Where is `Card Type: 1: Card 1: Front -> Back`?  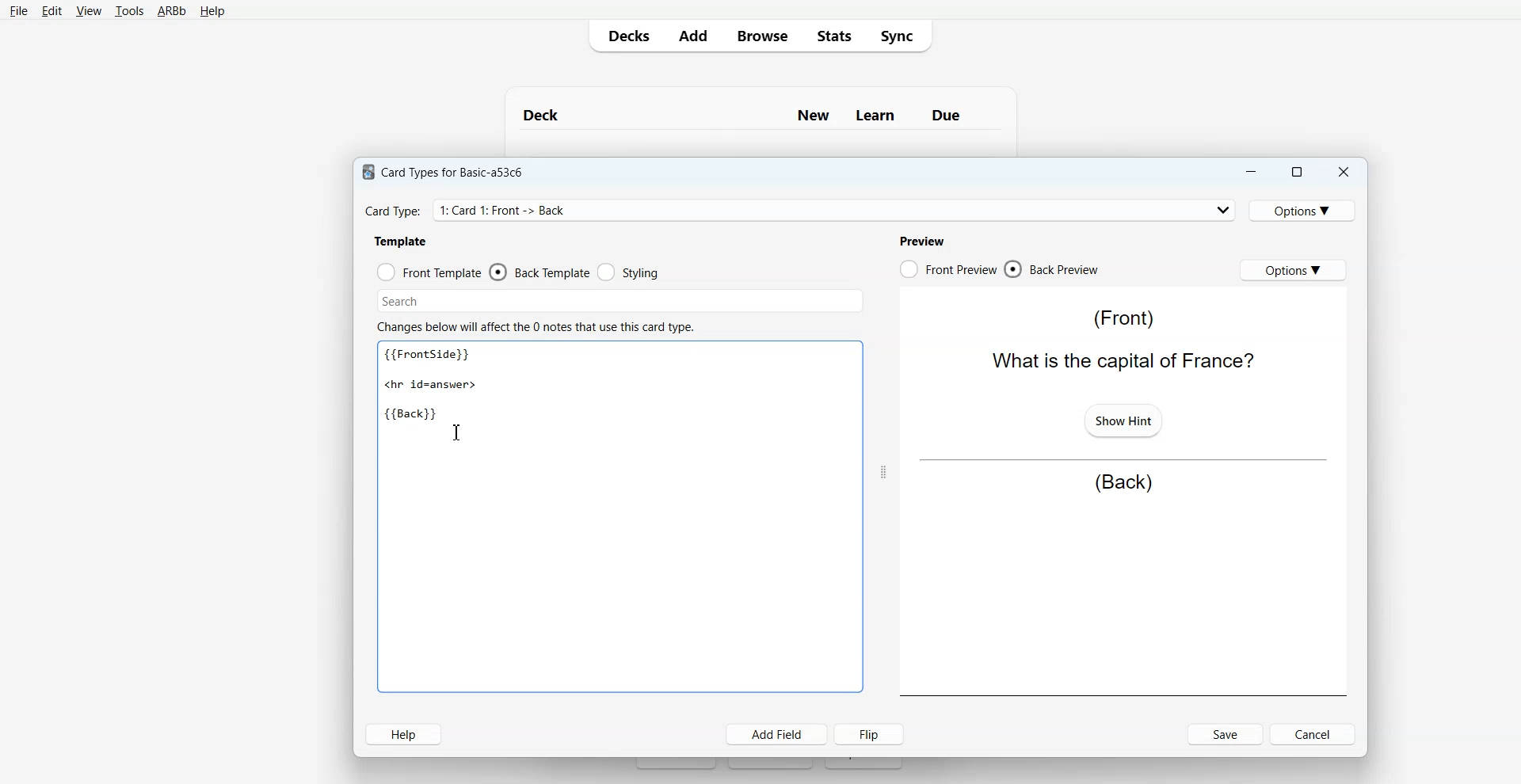
Card Type: 1: Card 1: Front -> Back is located at coordinates (509, 210).